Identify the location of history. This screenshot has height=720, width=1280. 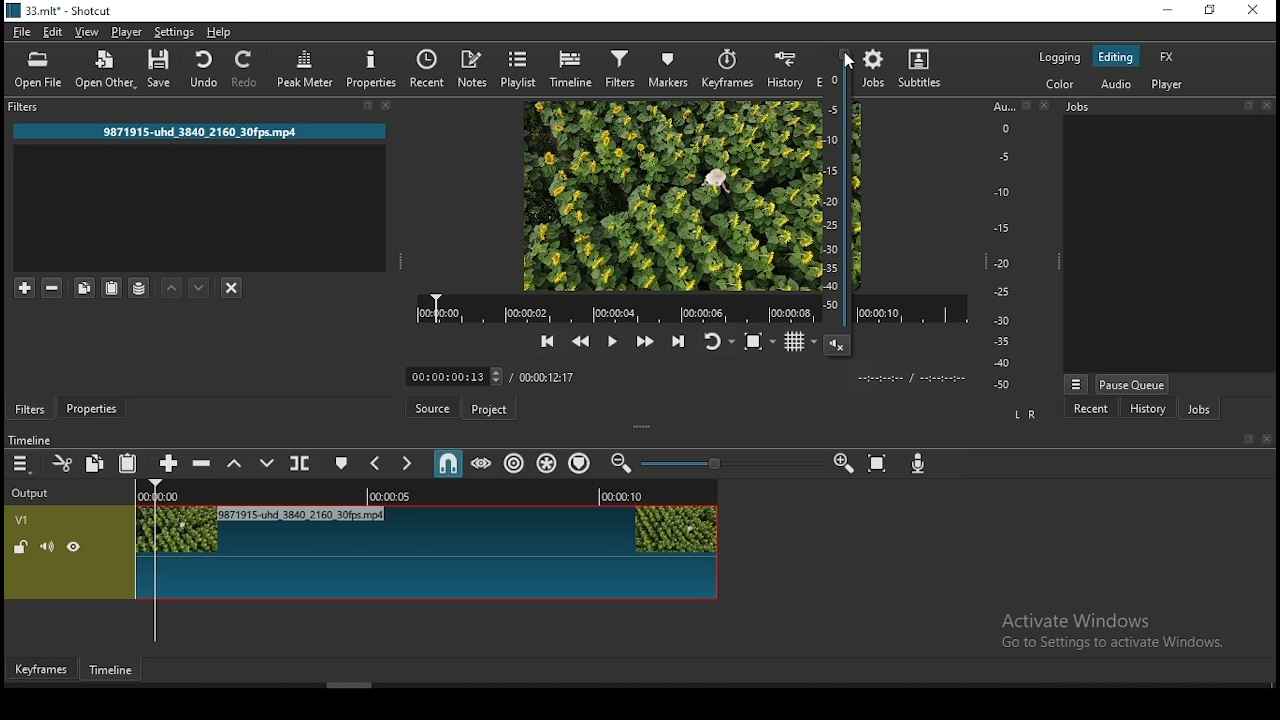
(1149, 407).